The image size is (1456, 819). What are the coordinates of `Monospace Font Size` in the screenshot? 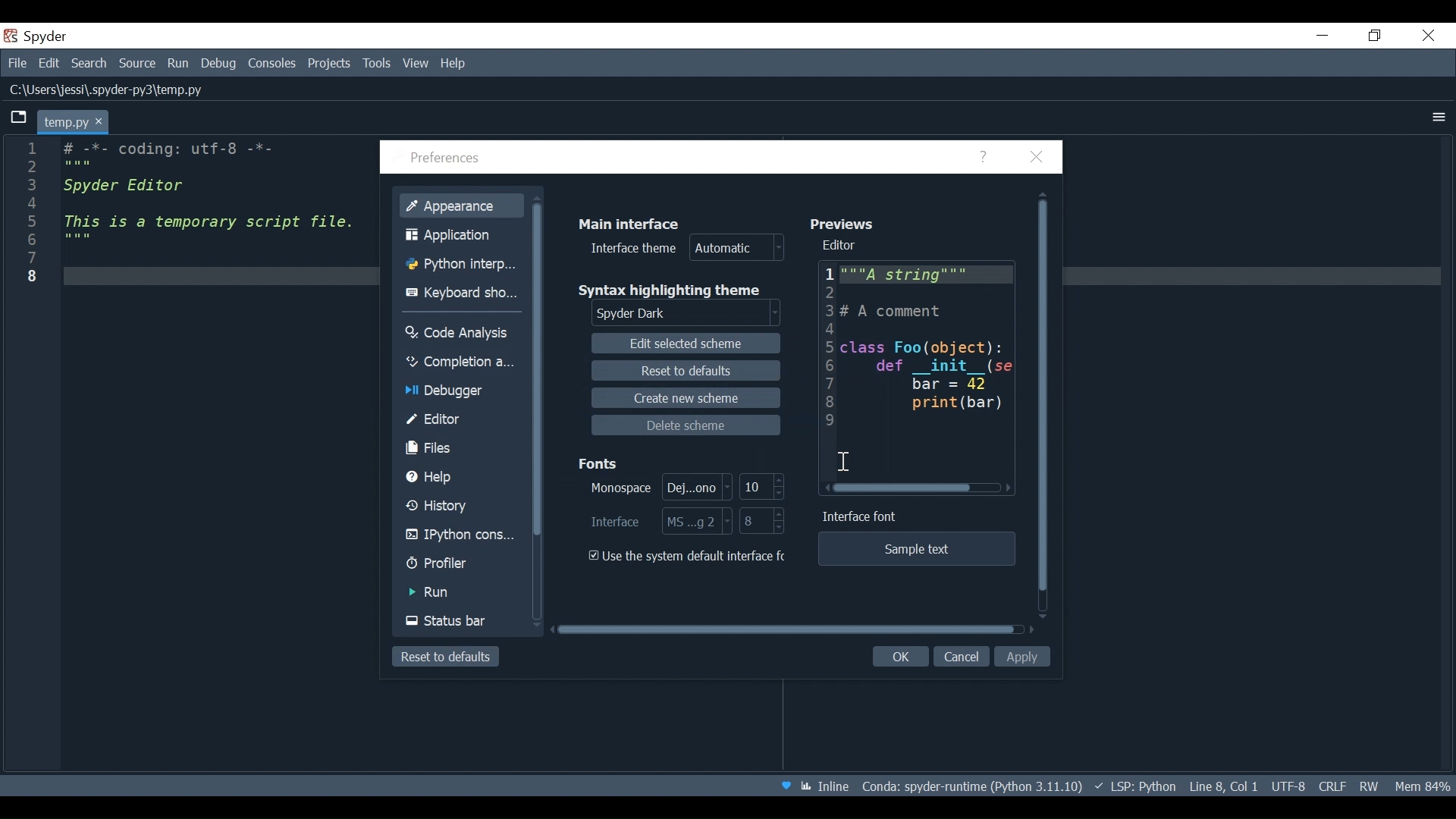 It's located at (763, 487).